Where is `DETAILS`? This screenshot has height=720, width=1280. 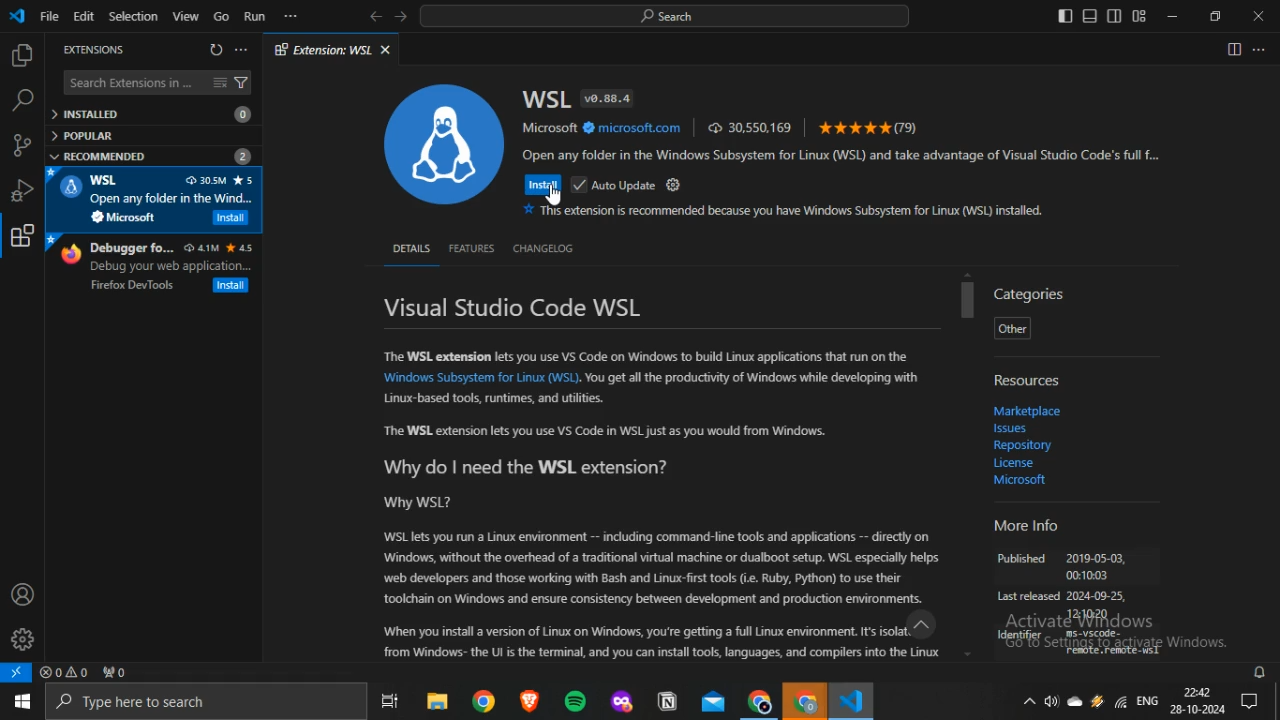
DETAILS is located at coordinates (410, 248).